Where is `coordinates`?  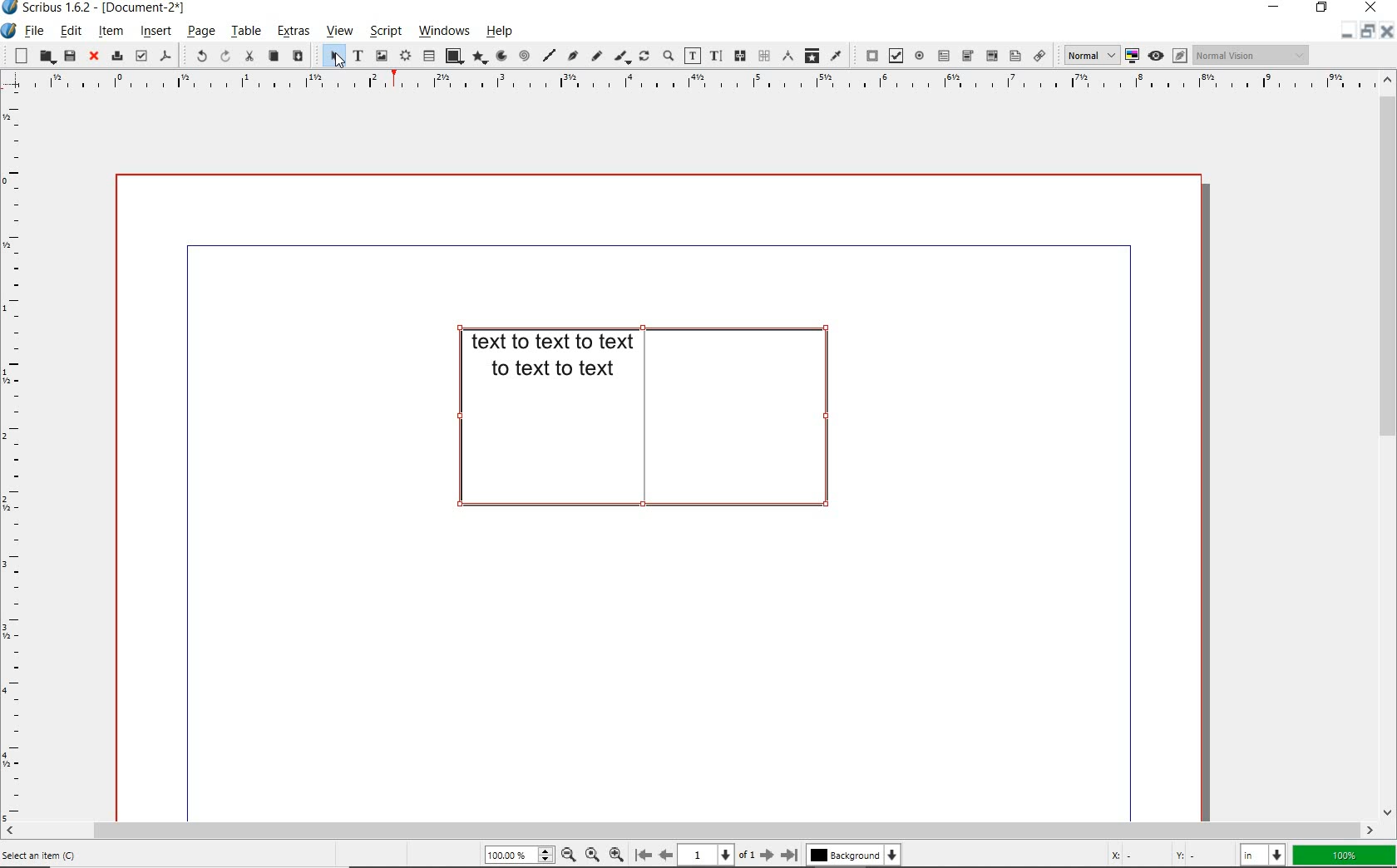 coordinates is located at coordinates (1164, 856).